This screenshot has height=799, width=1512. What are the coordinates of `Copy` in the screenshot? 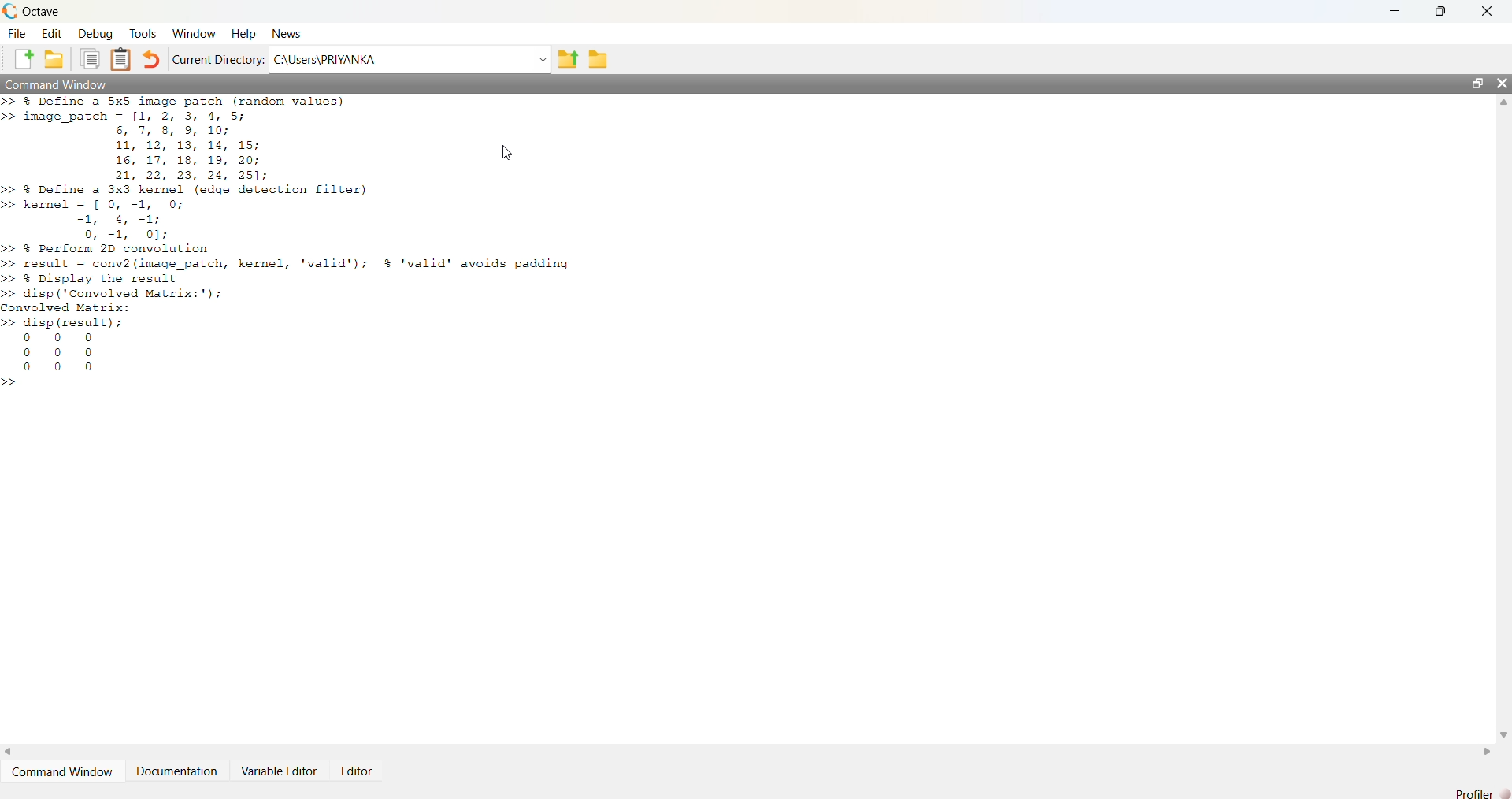 It's located at (91, 58).